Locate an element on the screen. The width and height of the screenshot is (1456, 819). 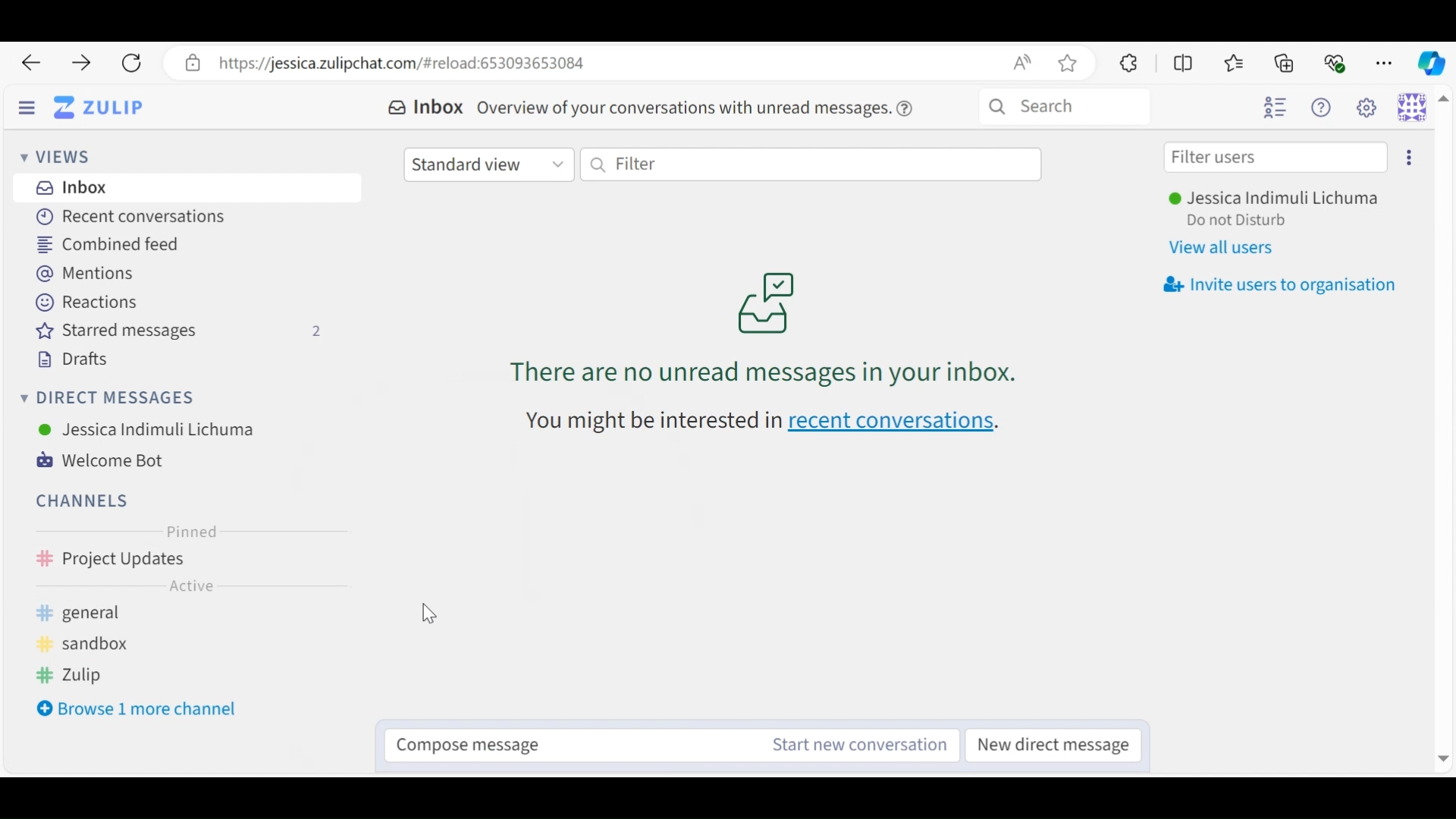
Collections is located at coordinates (1286, 62).